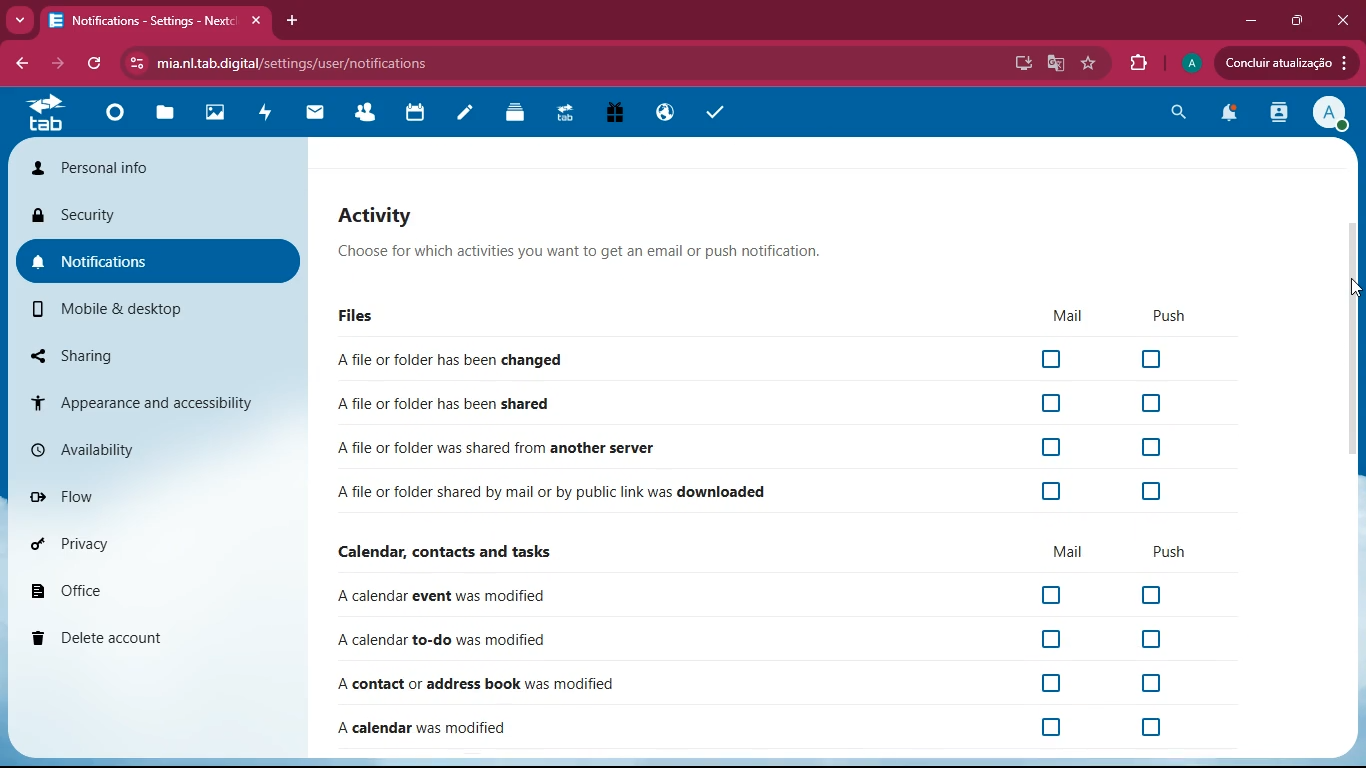 This screenshot has height=768, width=1366. I want to click on Cursor, so click(1352, 288).